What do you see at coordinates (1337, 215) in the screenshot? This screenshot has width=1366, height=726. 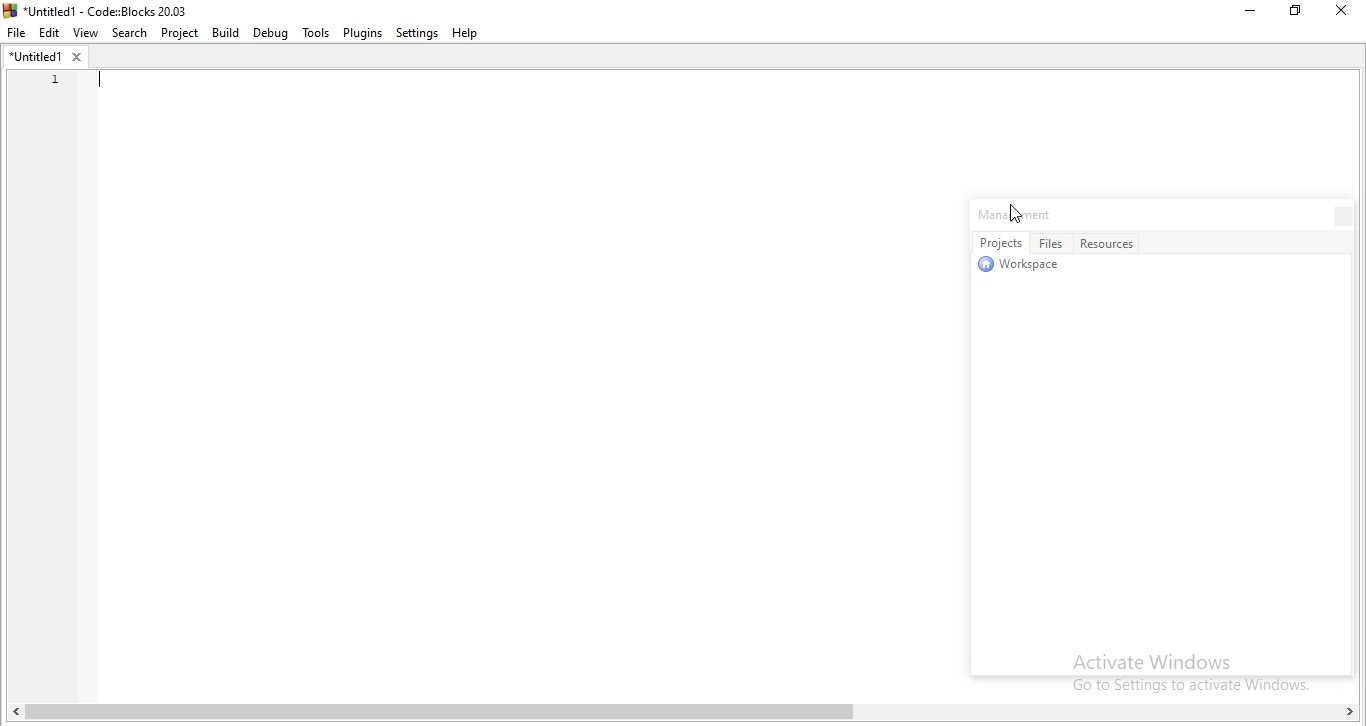 I see `close` at bounding box center [1337, 215].